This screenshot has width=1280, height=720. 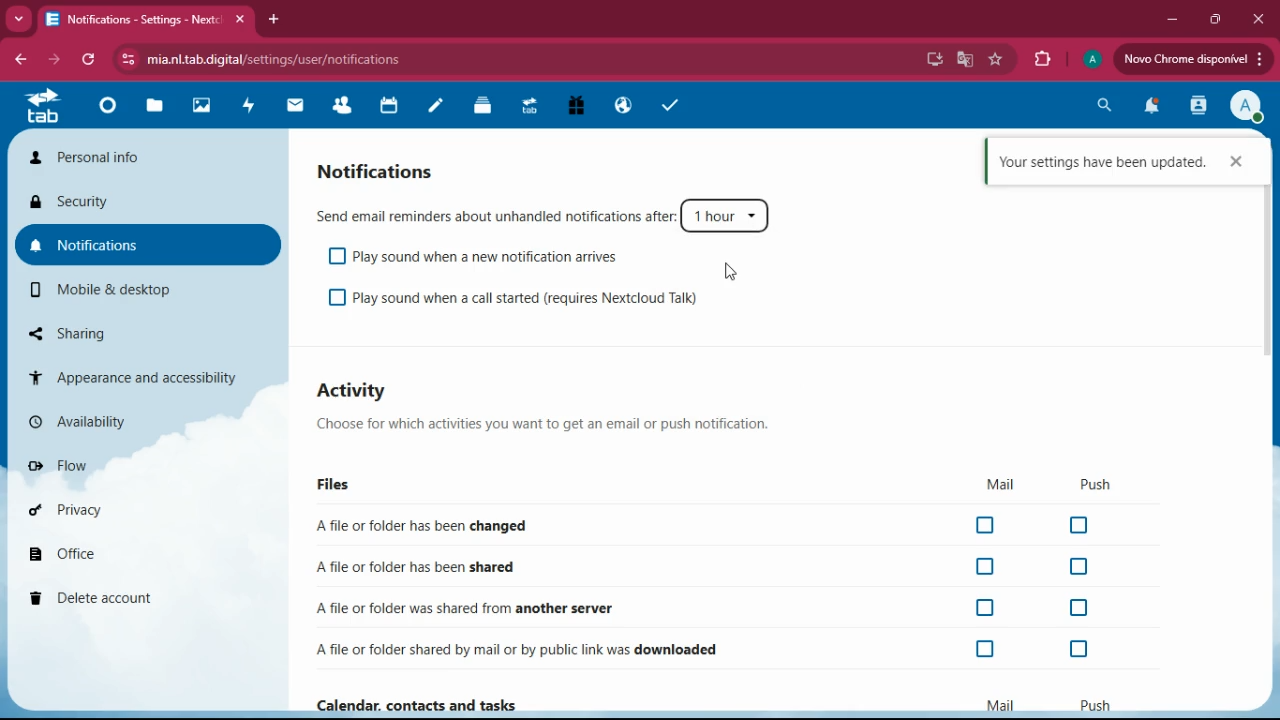 What do you see at coordinates (1078, 607) in the screenshot?
I see `off` at bounding box center [1078, 607].